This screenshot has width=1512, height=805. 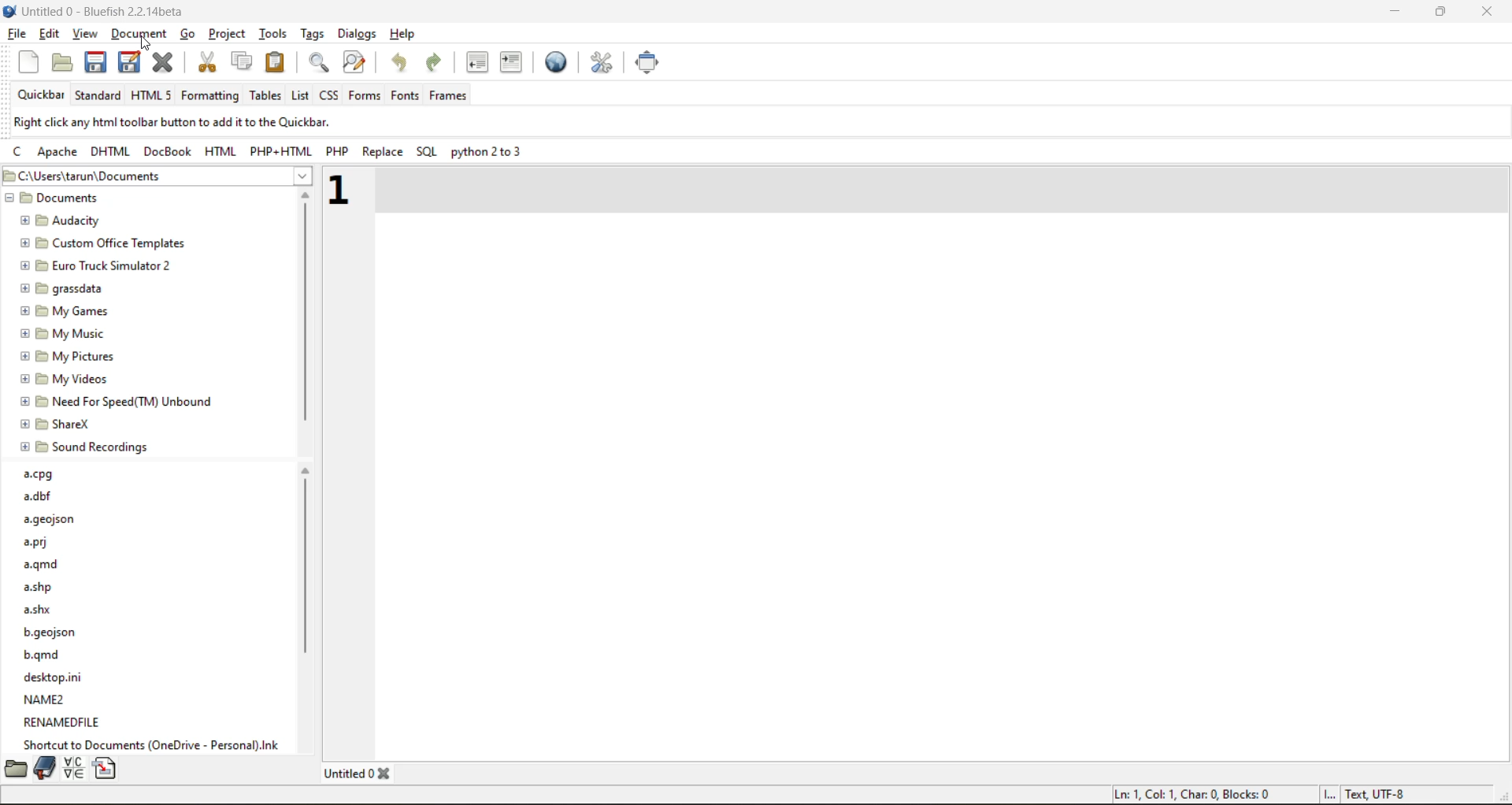 What do you see at coordinates (355, 59) in the screenshot?
I see `find and replace` at bounding box center [355, 59].